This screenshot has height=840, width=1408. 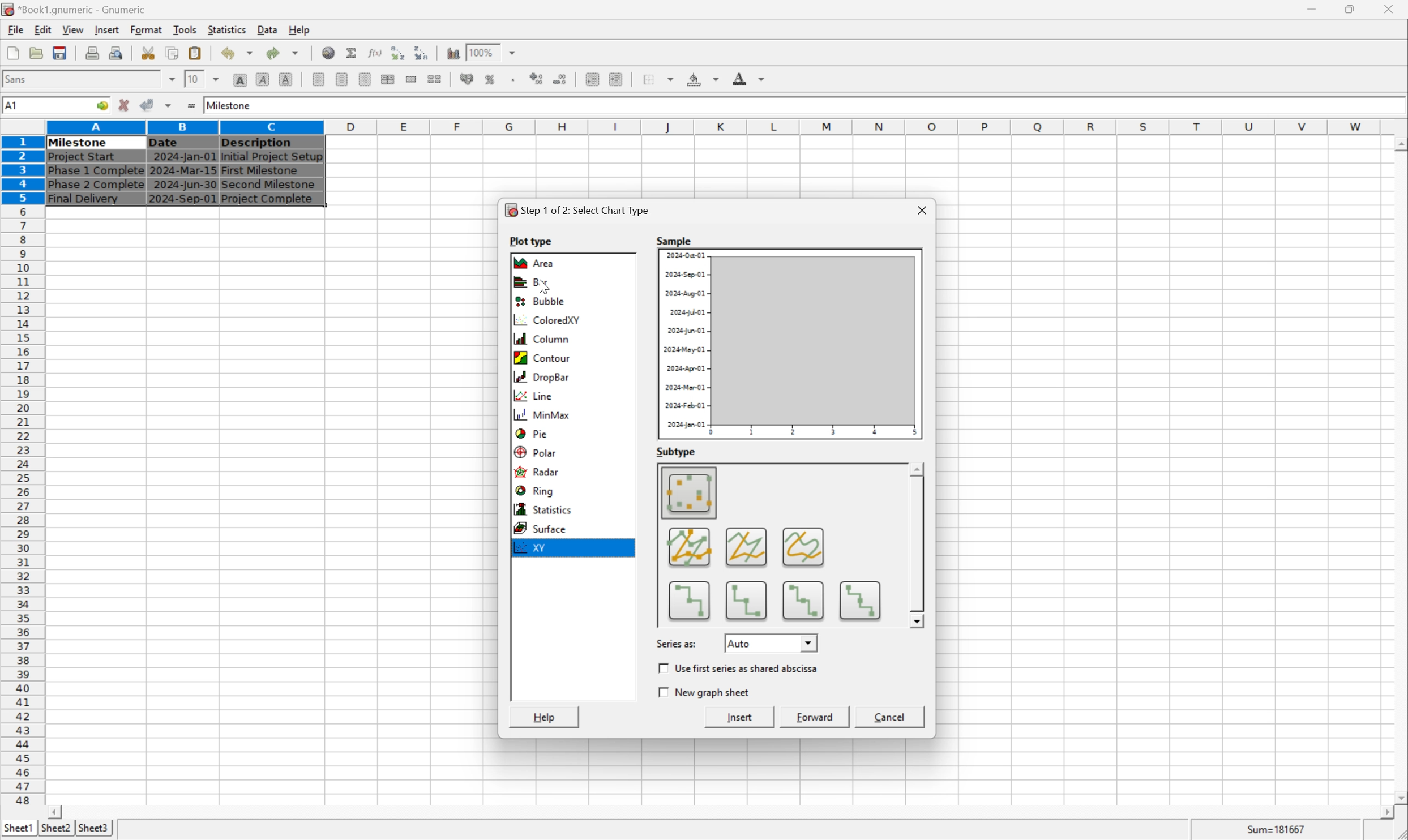 What do you see at coordinates (778, 544) in the screenshot?
I see `XY chat subtypes` at bounding box center [778, 544].